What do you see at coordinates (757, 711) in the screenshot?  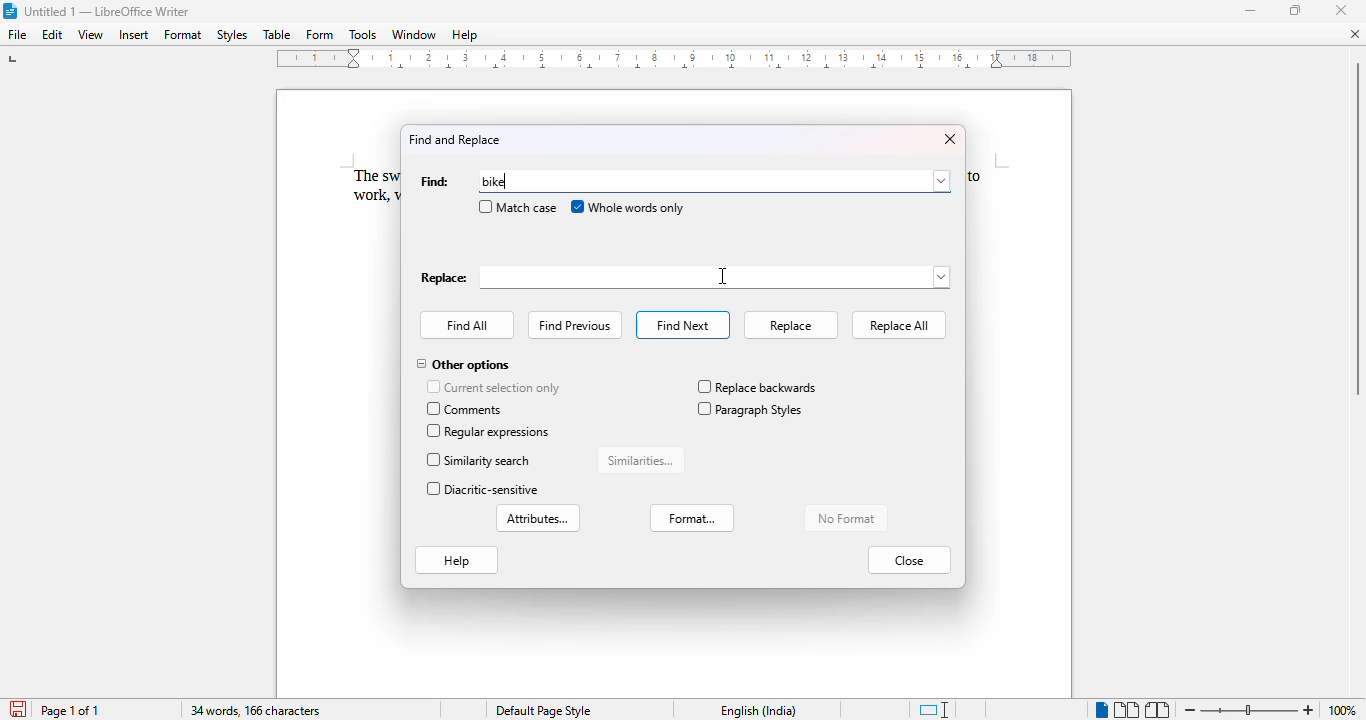 I see `English (India)` at bounding box center [757, 711].